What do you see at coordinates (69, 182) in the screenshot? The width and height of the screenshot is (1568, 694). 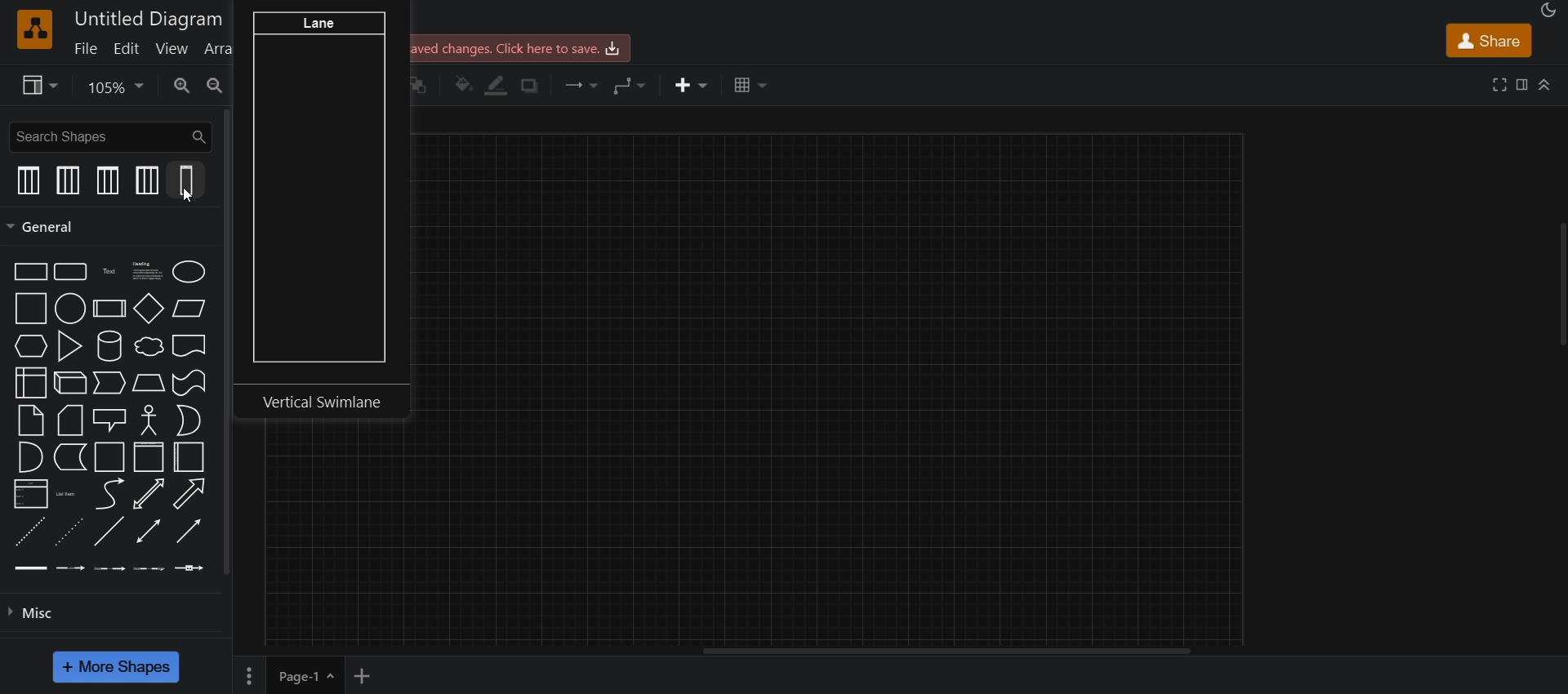 I see `vertical pool 2` at bounding box center [69, 182].